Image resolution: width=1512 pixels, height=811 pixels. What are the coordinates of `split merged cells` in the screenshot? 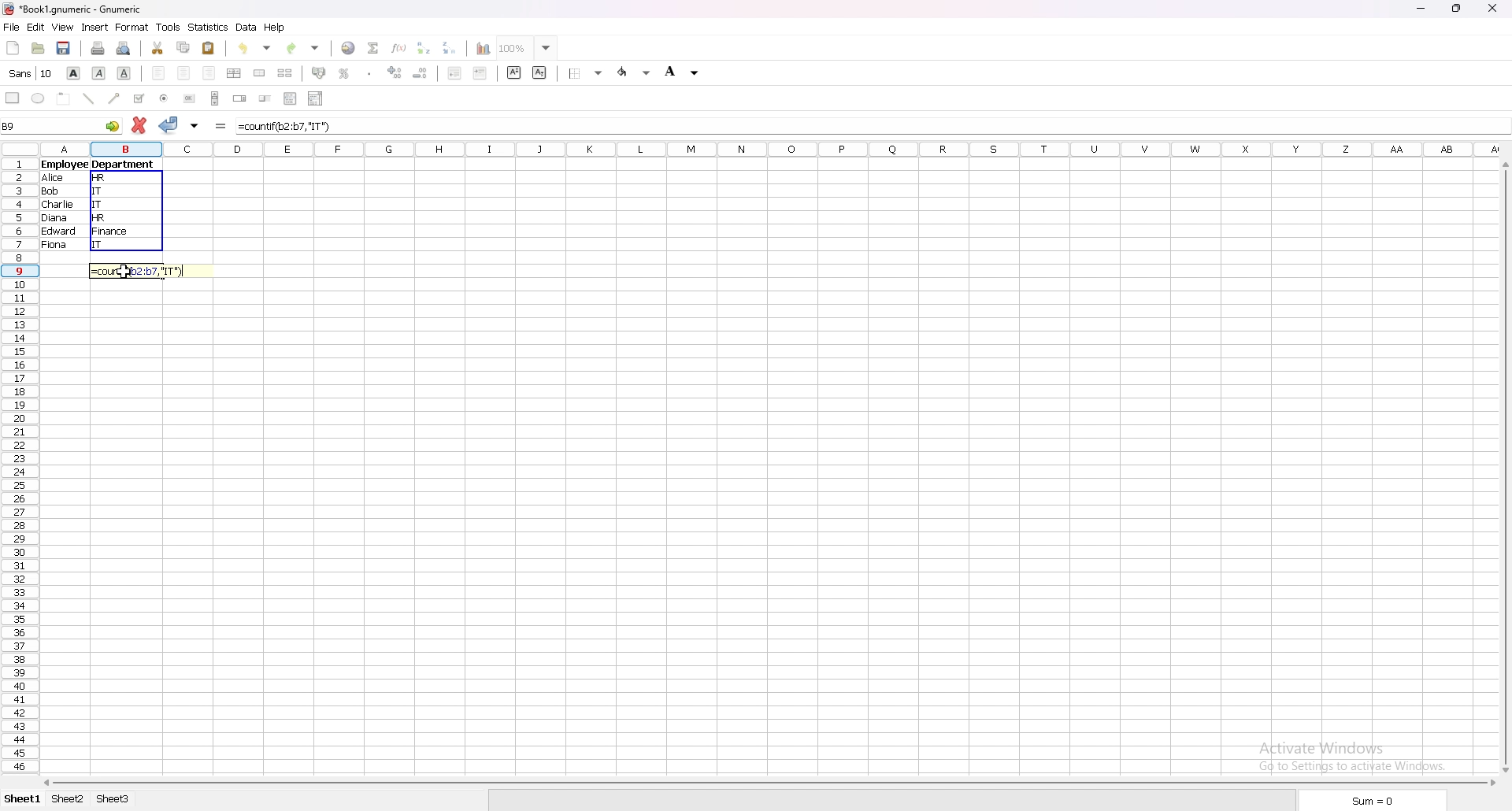 It's located at (286, 72).